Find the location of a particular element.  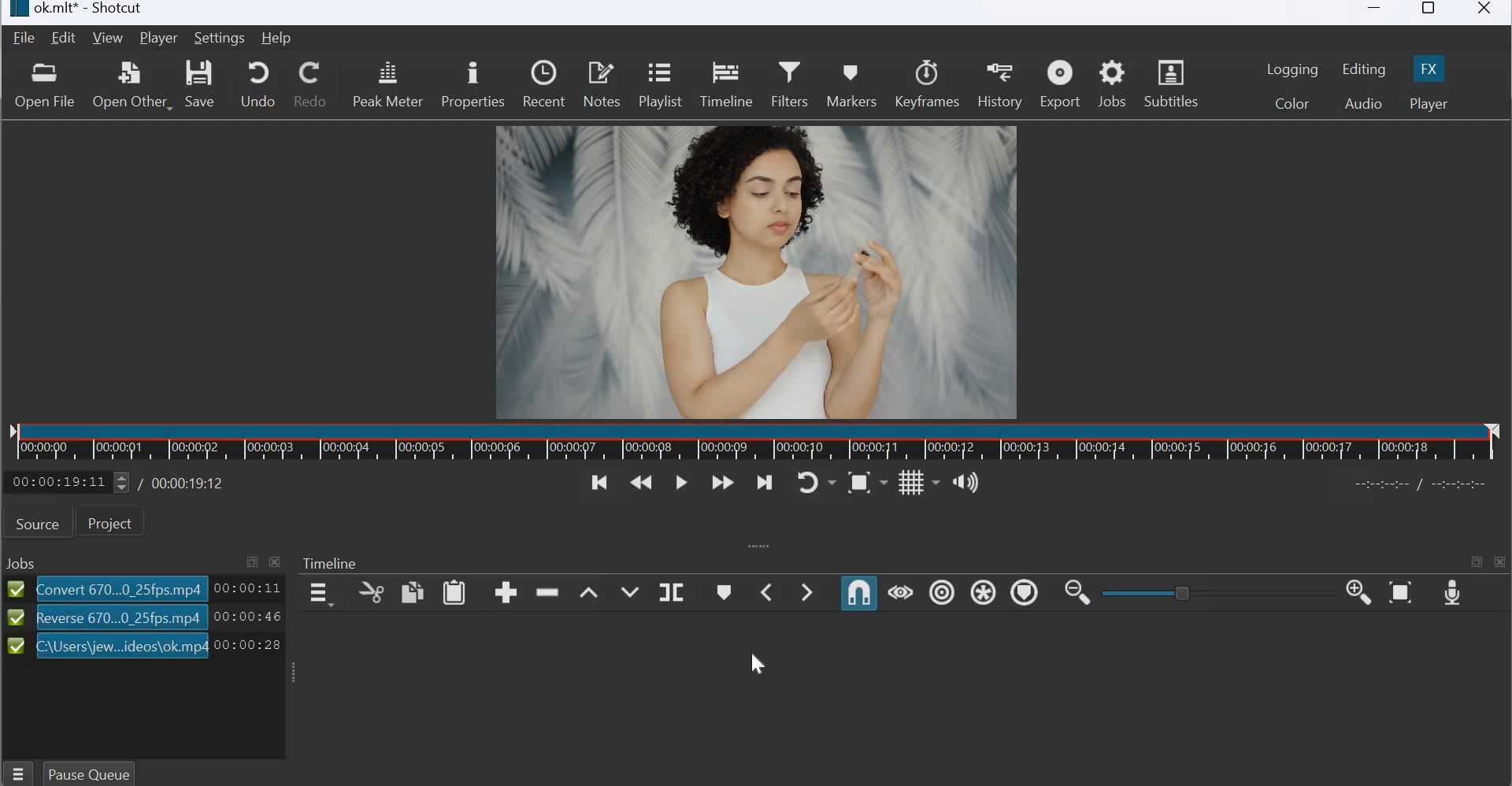

Maximize is located at coordinates (252, 562).